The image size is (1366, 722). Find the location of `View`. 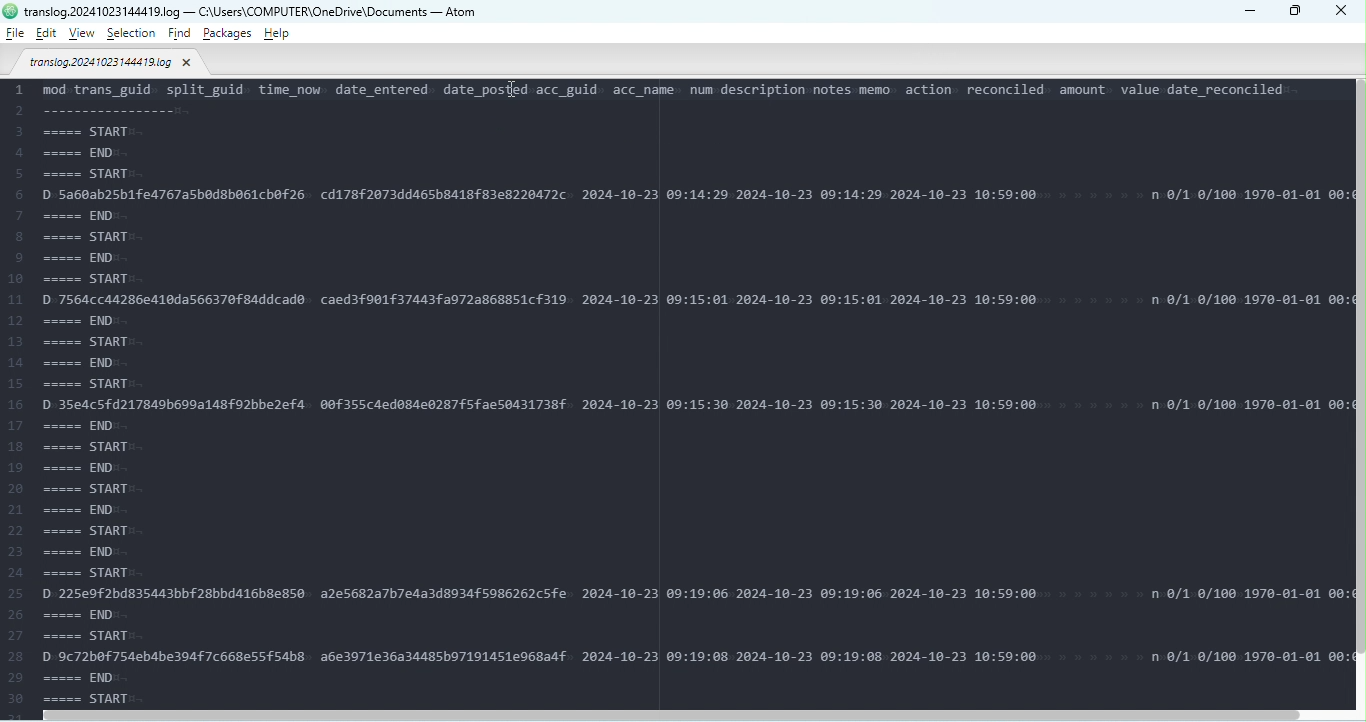

View is located at coordinates (85, 33).